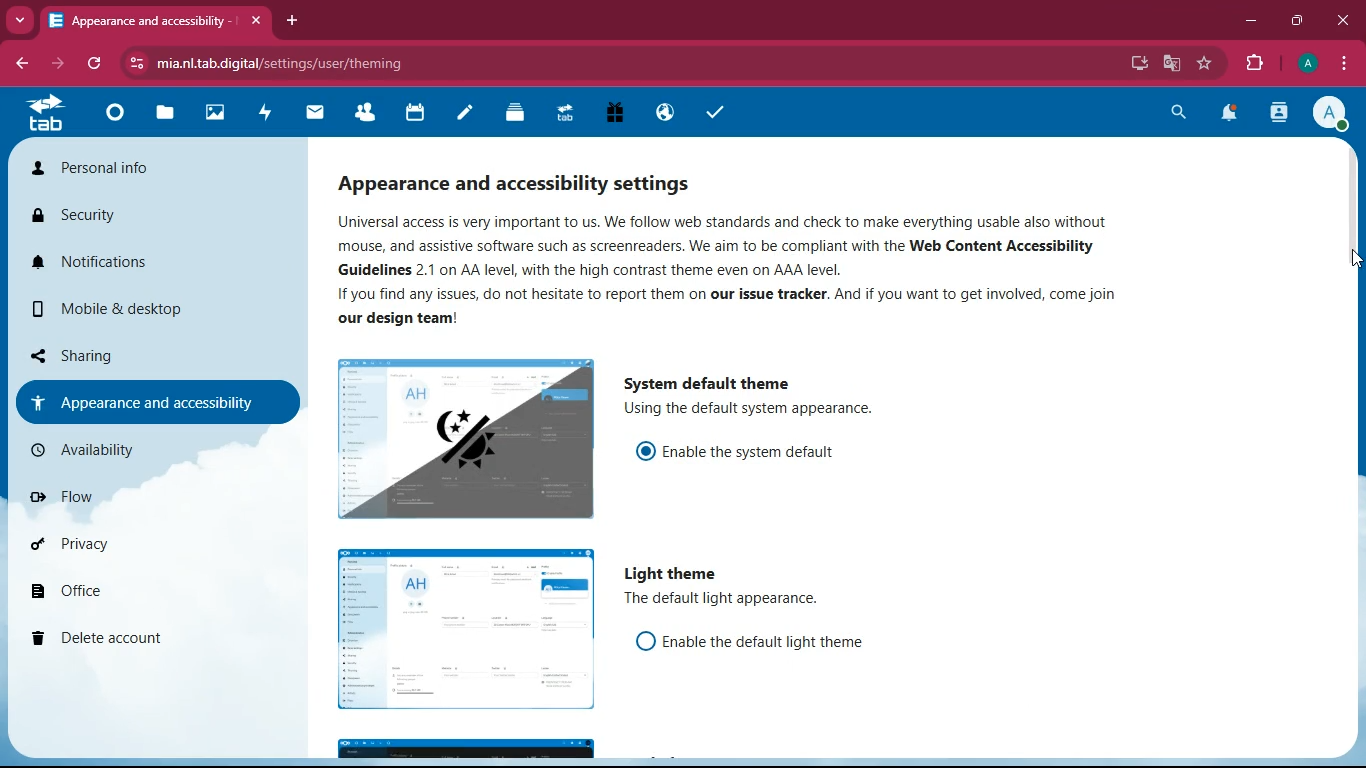 This screenshot has width=1366, height=768. What do you see at coordinates (1334, 114) in the screenshot?
I see `profile` at bounding box center [1334, 114].